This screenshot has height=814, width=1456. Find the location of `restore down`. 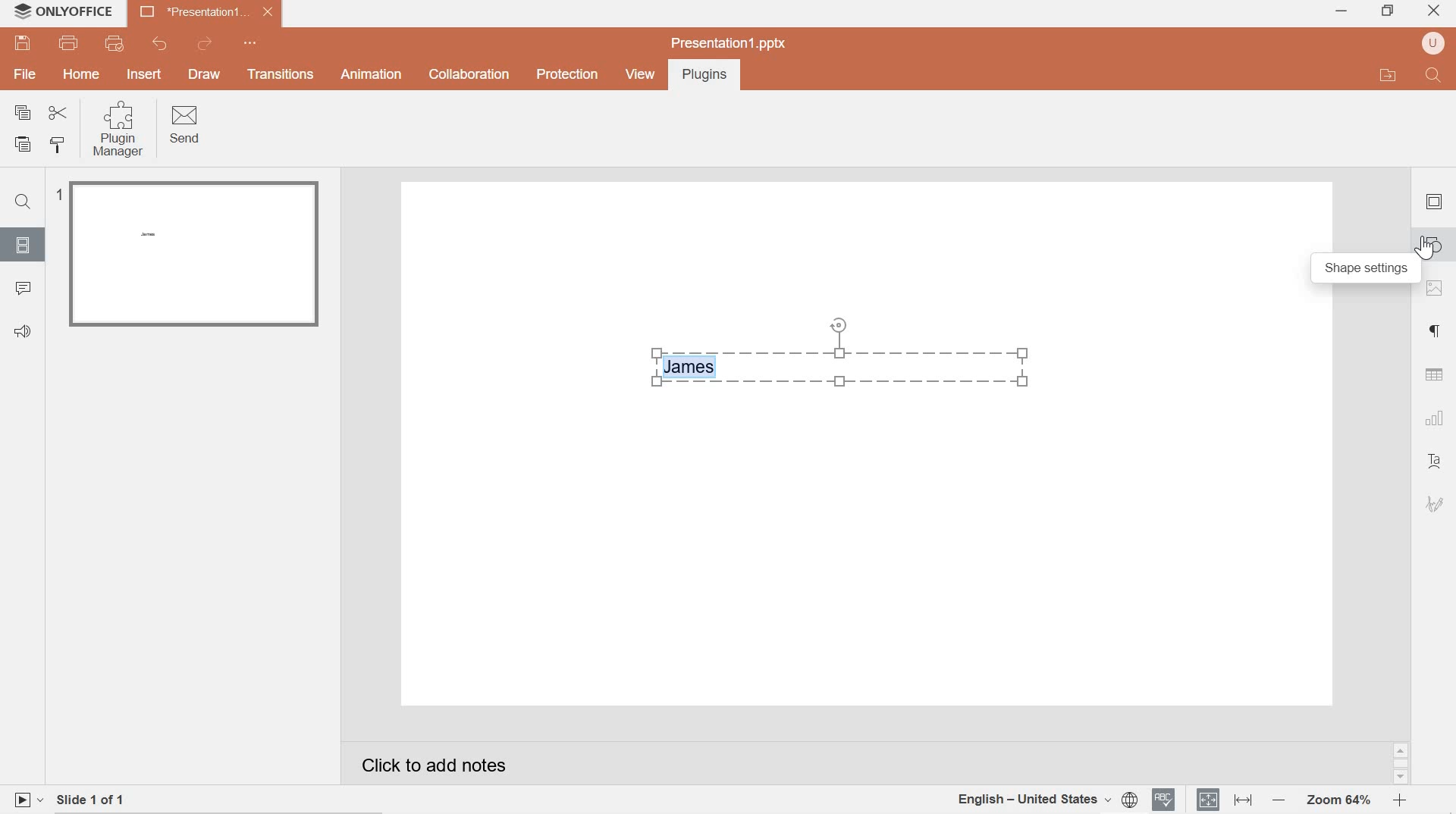

restore down is located at coordinates (1387, 9).